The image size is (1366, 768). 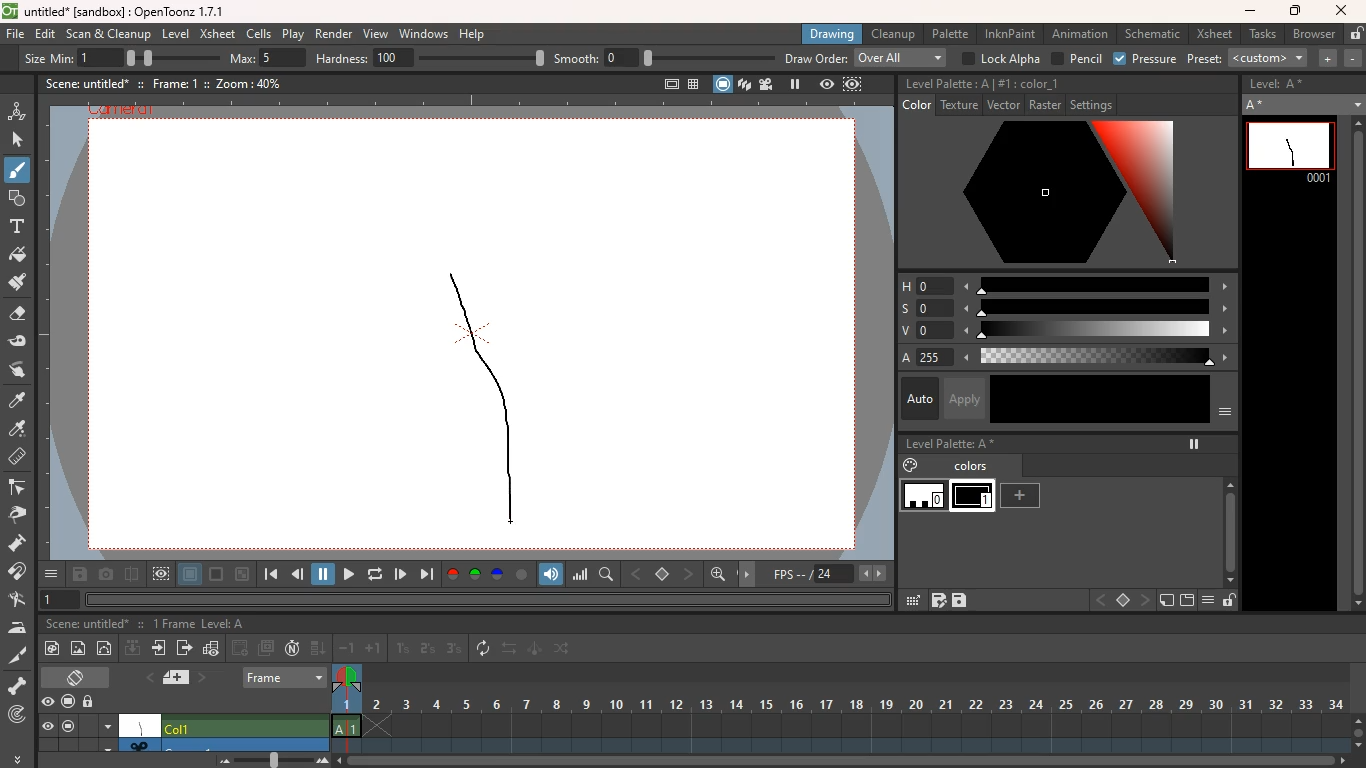 What do you see at coordinates (892, 34) in the screenshot?
I see `cleanup` at bounding box center [892, 34].